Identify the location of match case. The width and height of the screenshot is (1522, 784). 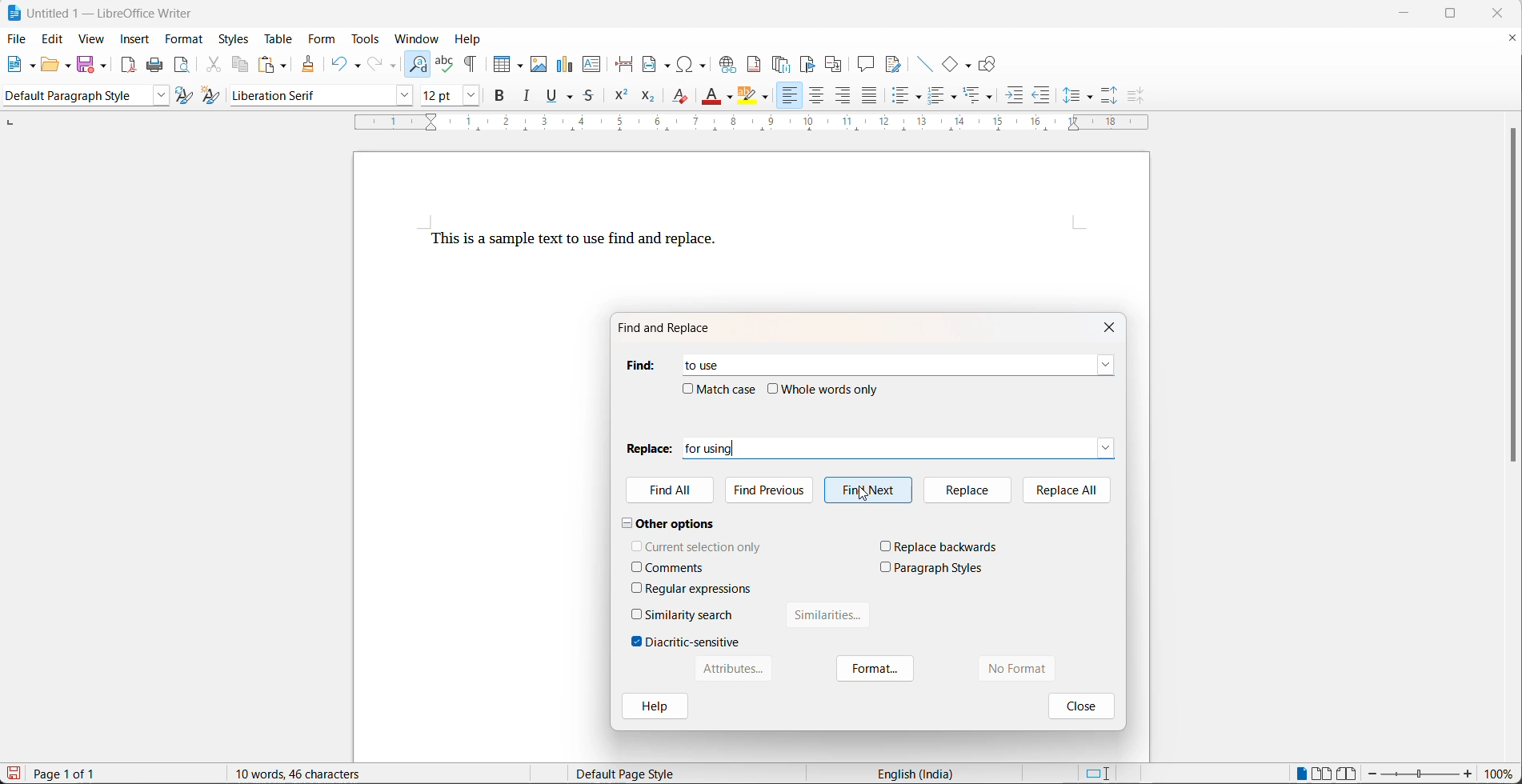
(728, 389).